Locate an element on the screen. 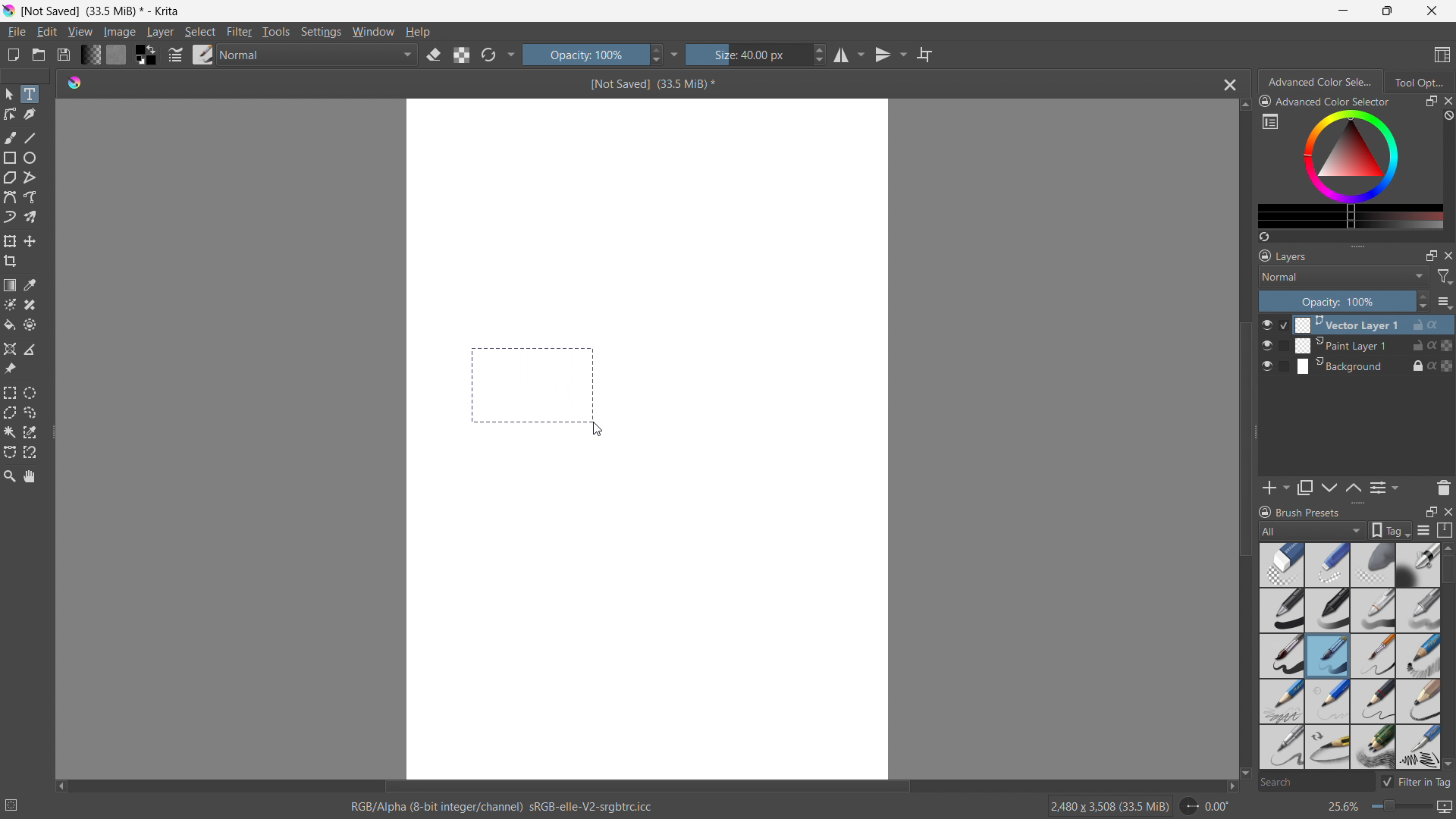  small pin brush is located at coordinates (1372, 657).